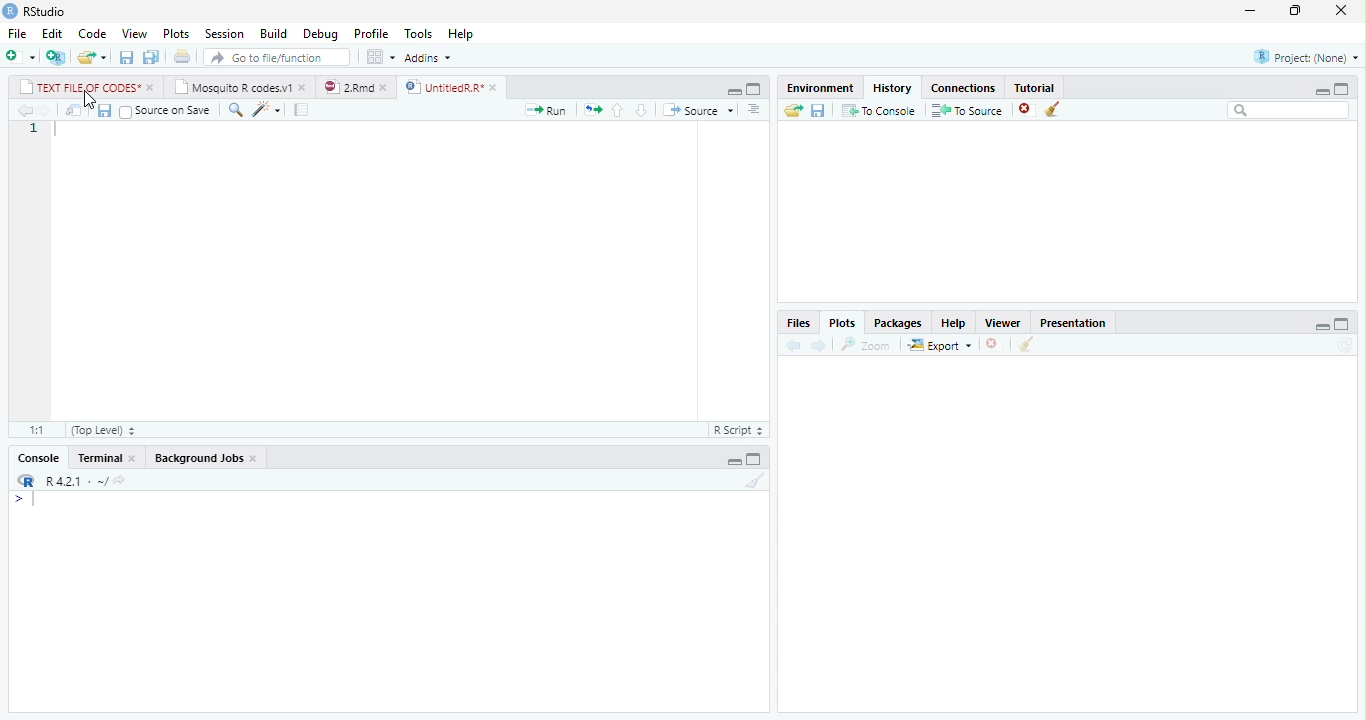 The width and height of the screenshot is (1366, 720). What do you see at coordinates (995, 344) in the screenshot?
I see `close` at bounding box center [995, 344].